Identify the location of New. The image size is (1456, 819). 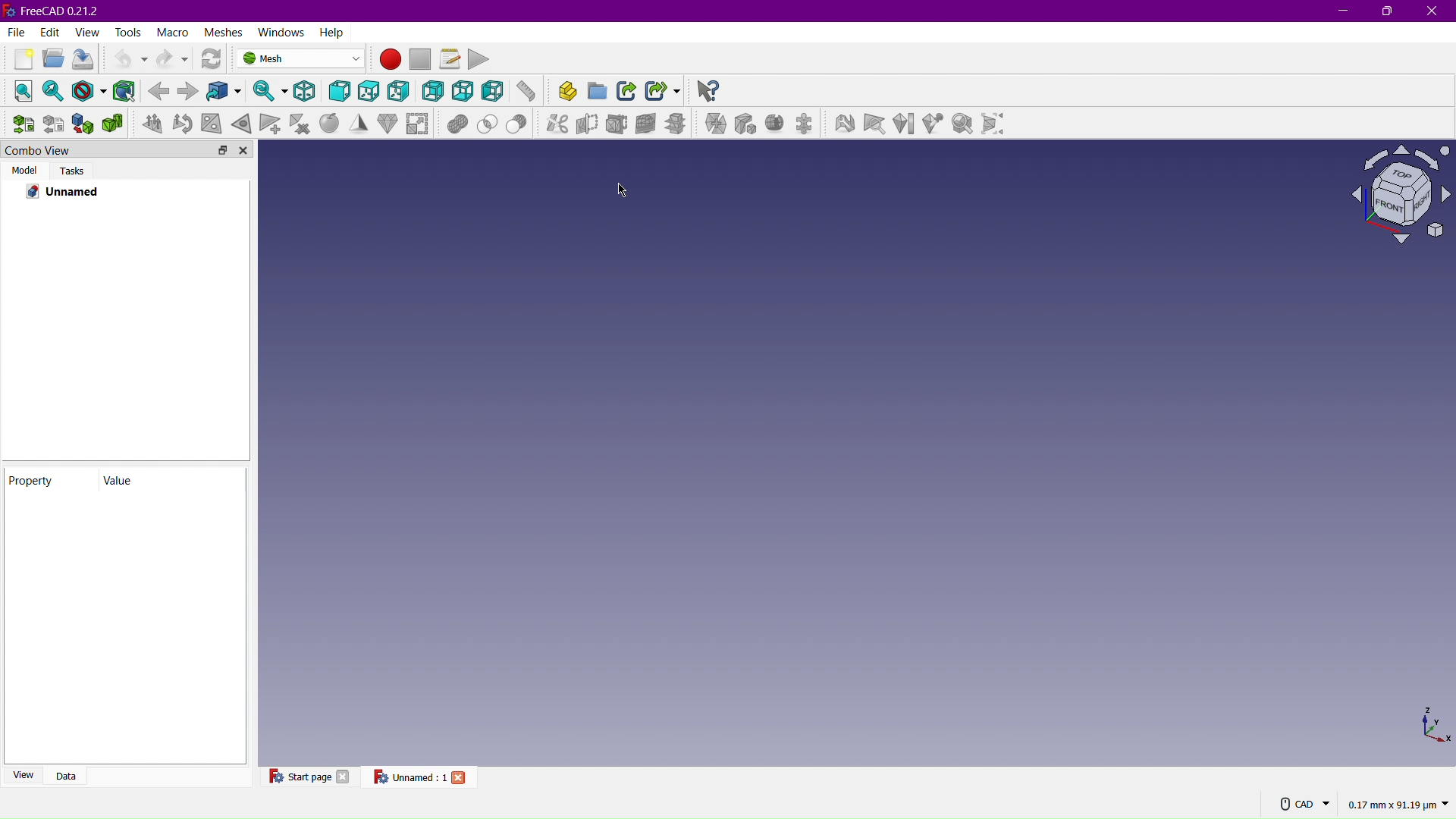
(20, 59).